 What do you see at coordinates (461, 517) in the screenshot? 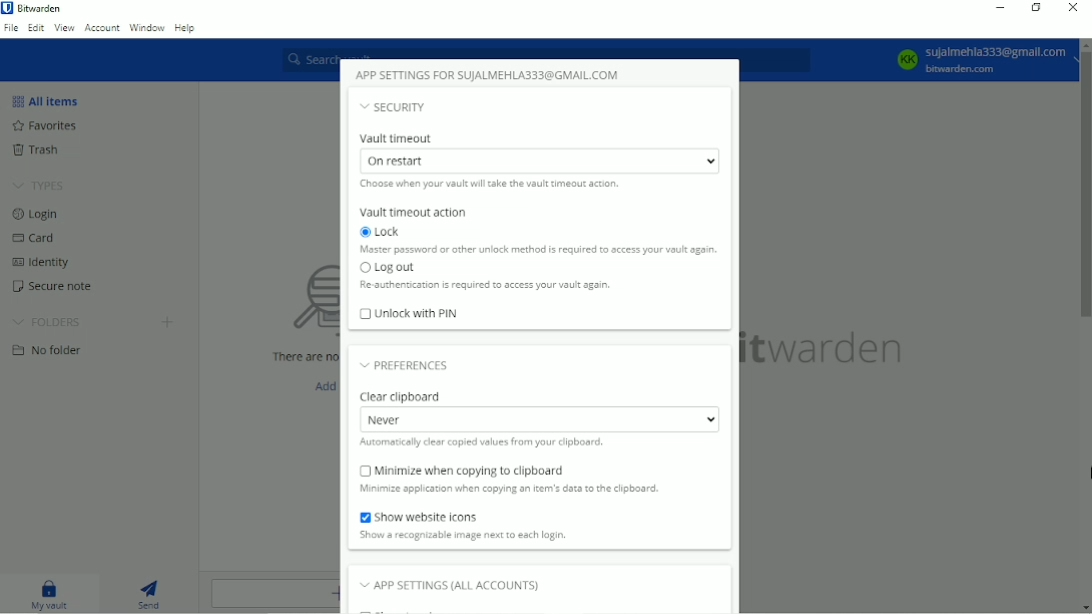
I see `Show website icons` at bounding box center [461, 517].